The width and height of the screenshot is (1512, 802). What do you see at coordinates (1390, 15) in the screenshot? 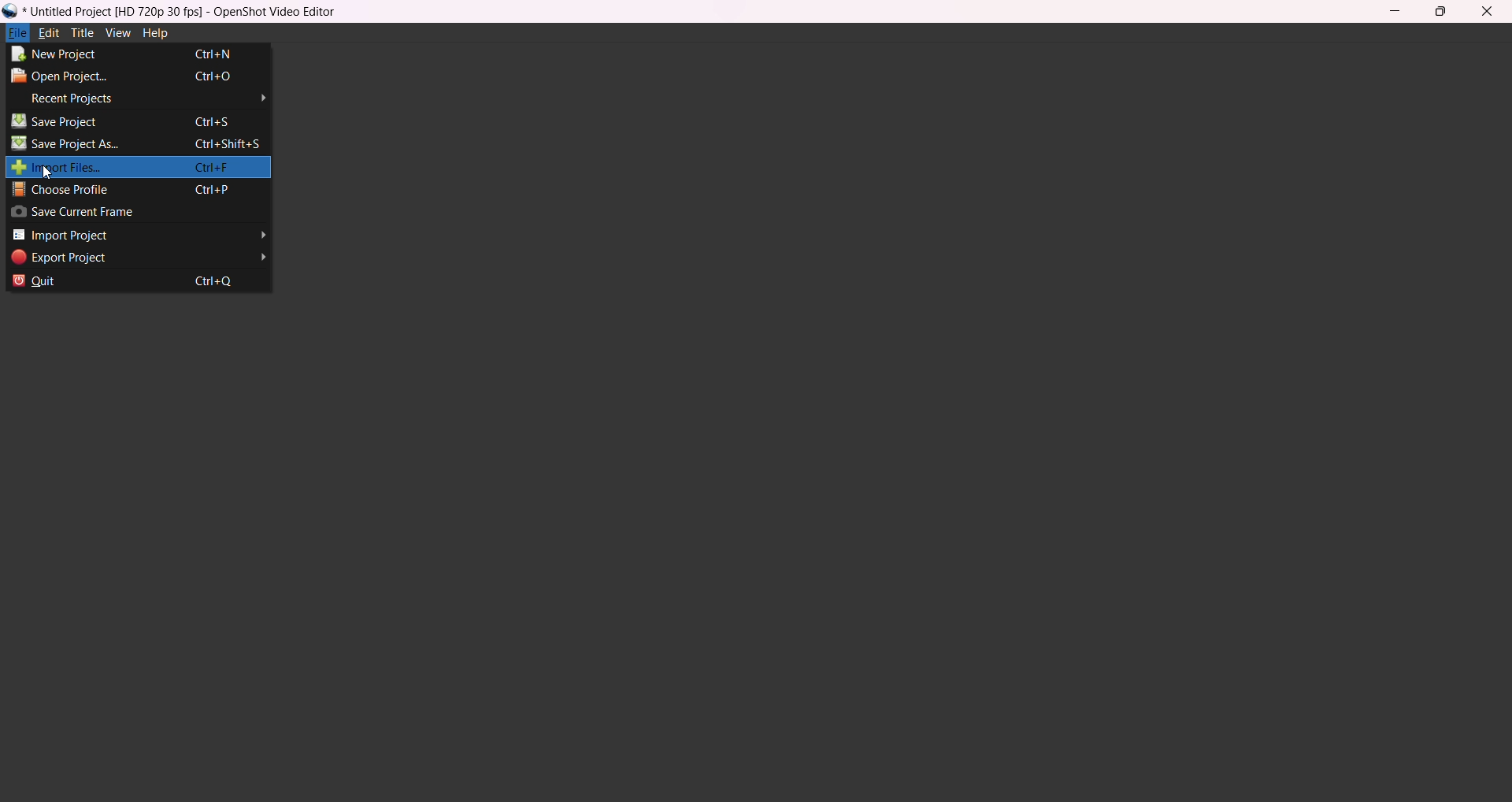
I see `minimize` at bounding box center [1390, 15].